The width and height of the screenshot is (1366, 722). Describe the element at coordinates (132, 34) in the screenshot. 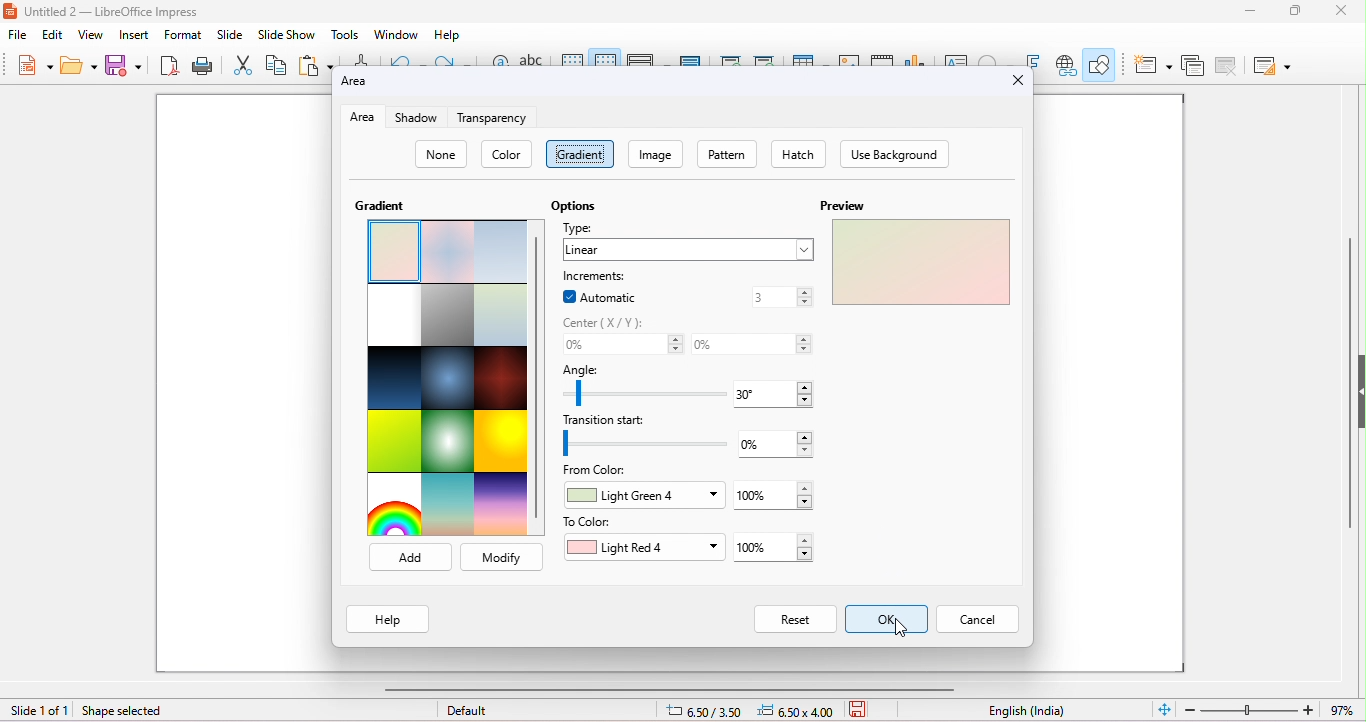

I see `insert` at that location.